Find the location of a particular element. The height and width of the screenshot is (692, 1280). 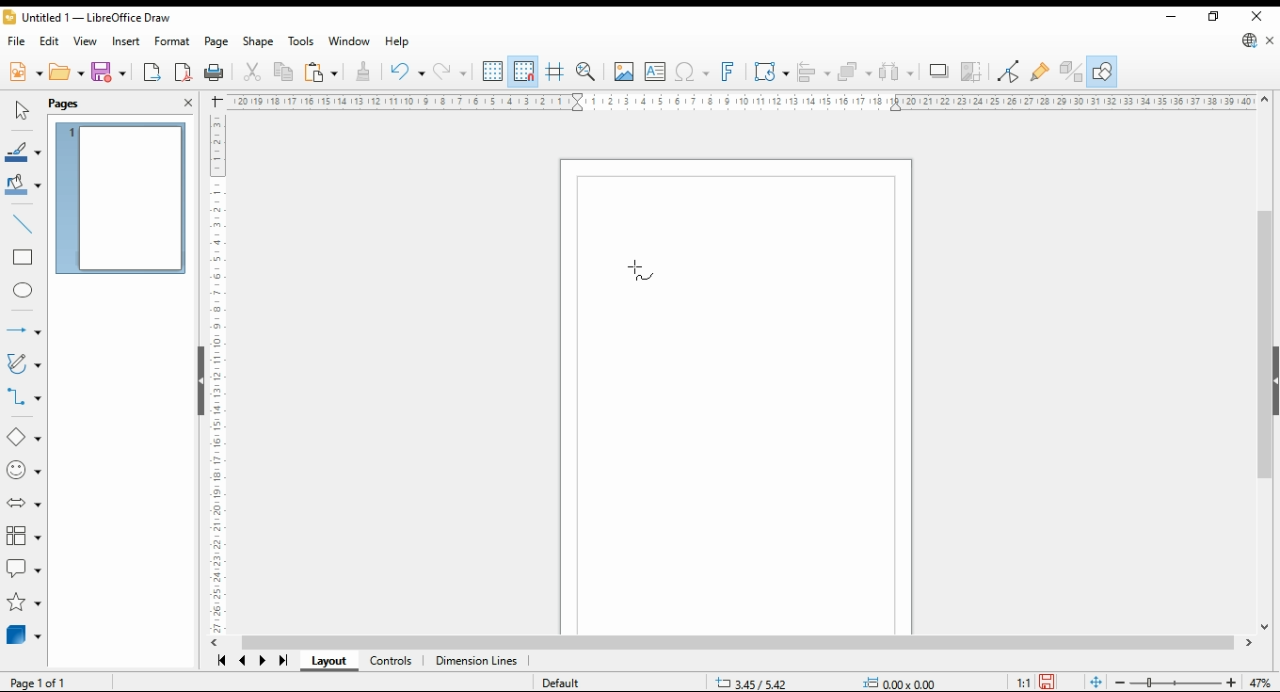

redo is located at coordinates (449, 73).